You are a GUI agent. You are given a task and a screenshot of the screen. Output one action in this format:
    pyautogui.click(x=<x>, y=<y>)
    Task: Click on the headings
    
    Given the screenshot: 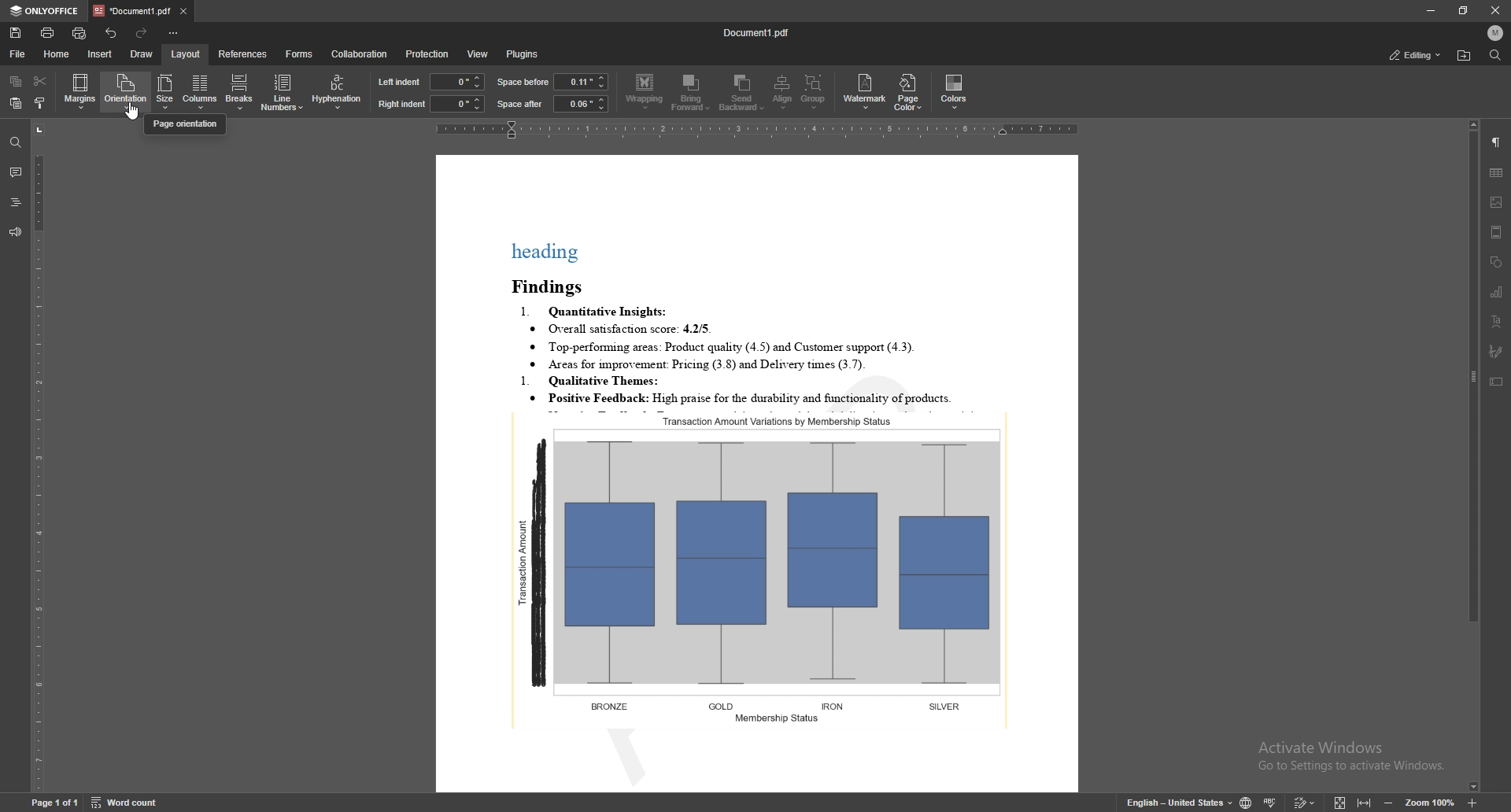 What is the action you would take?
    pyautogui.click(x=15, y=201)
    